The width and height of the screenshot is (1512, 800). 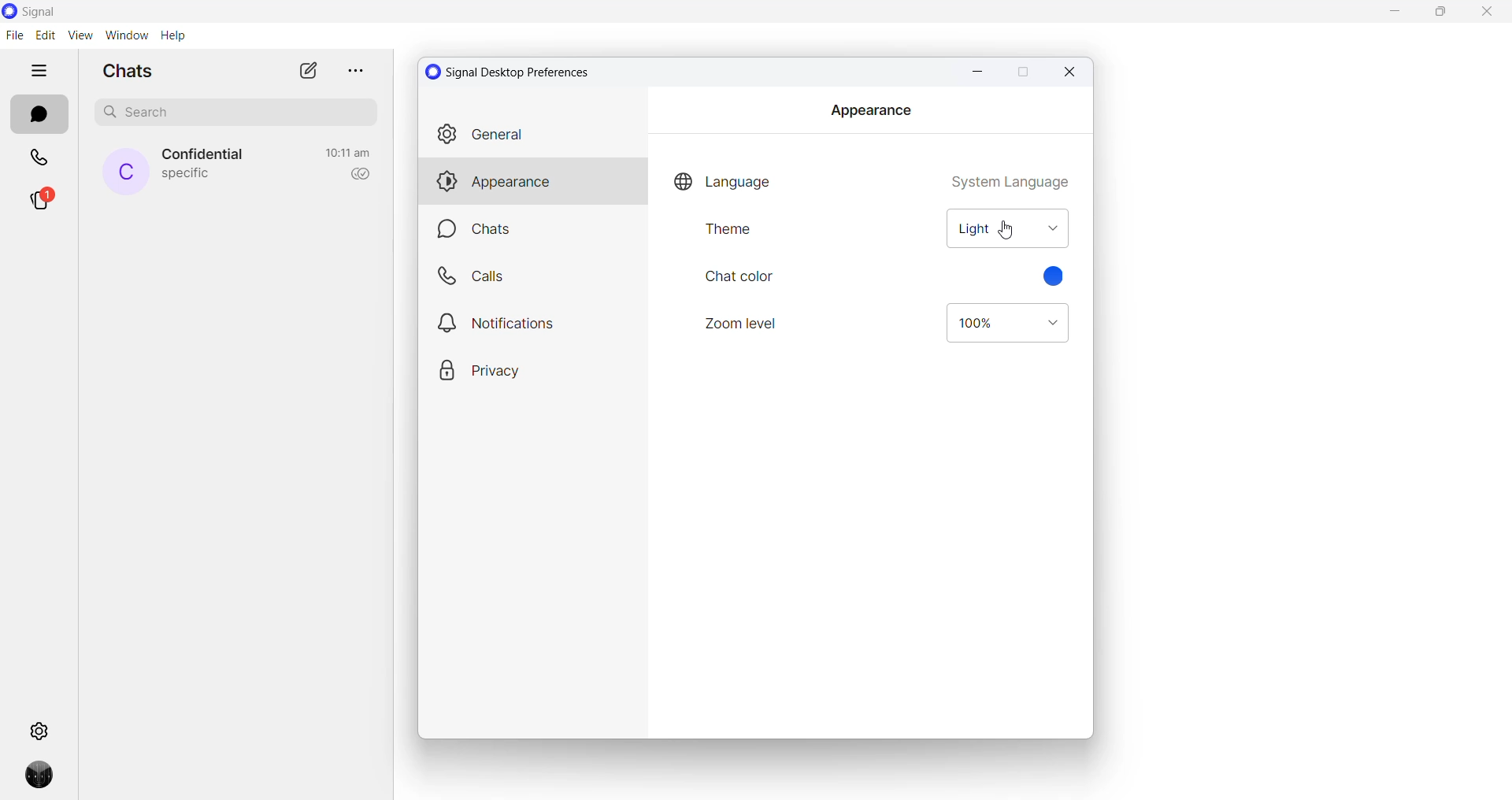 What do you see at coordinates (187, 176) in the screenshot?
I see `last message` at bounding box center [187, 176].